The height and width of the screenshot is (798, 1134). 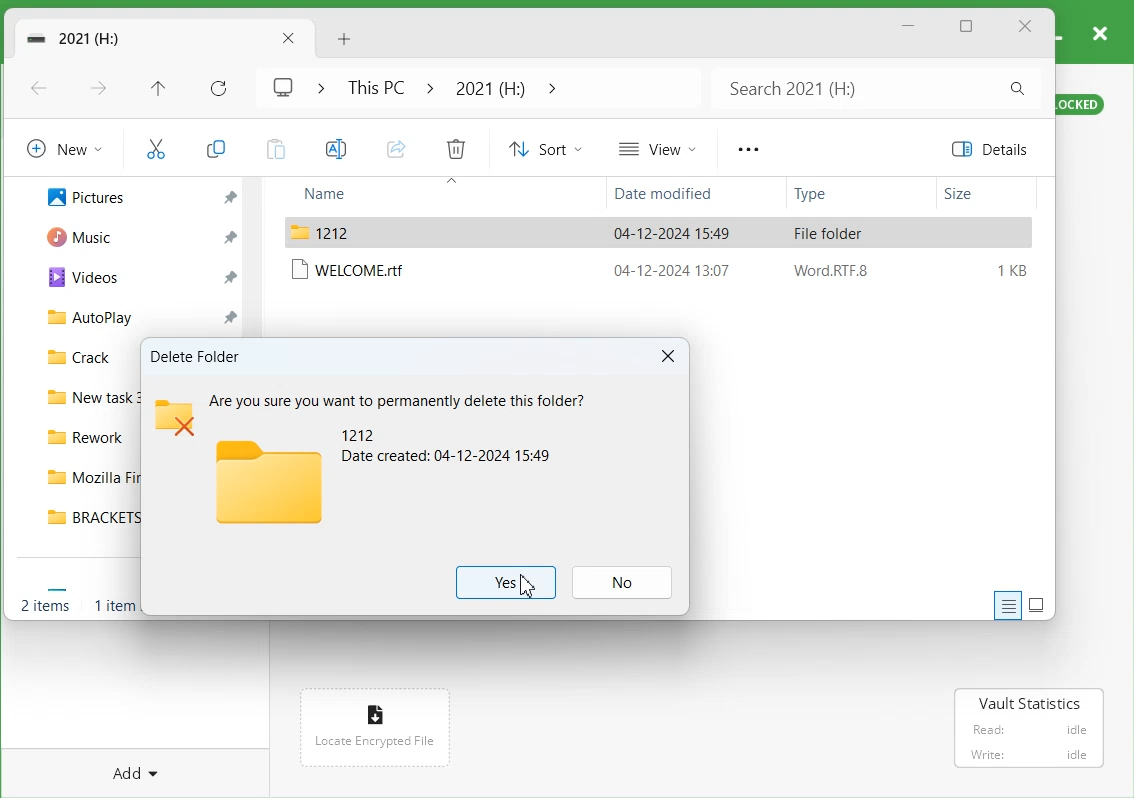 What do you see at coordinates (155, 147) in the screenshot?
I see `Cut` at bounding box center [155, 147].